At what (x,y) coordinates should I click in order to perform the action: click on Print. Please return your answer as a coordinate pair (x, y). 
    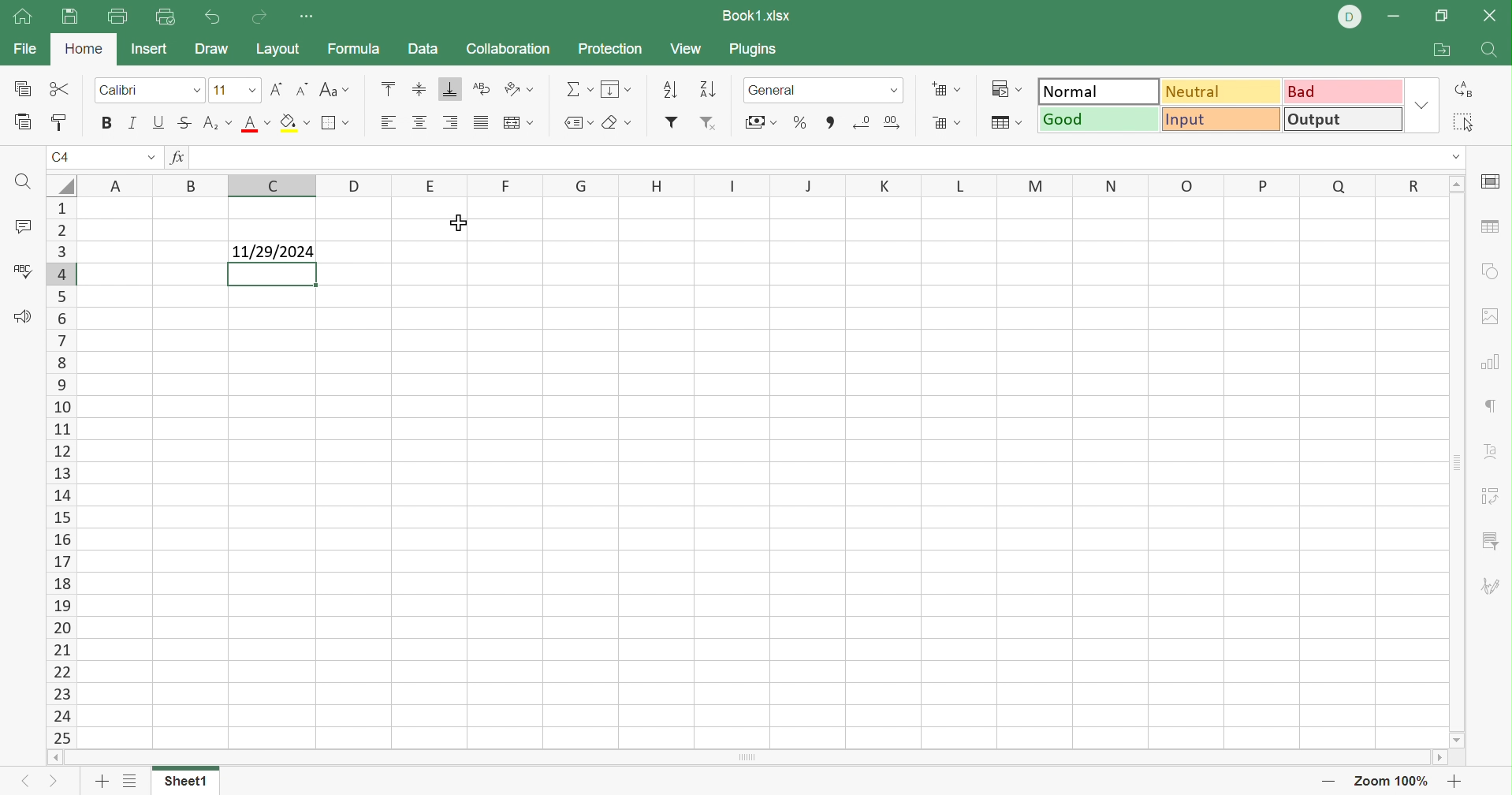
    Looking at the image, I should click on (115, 17).